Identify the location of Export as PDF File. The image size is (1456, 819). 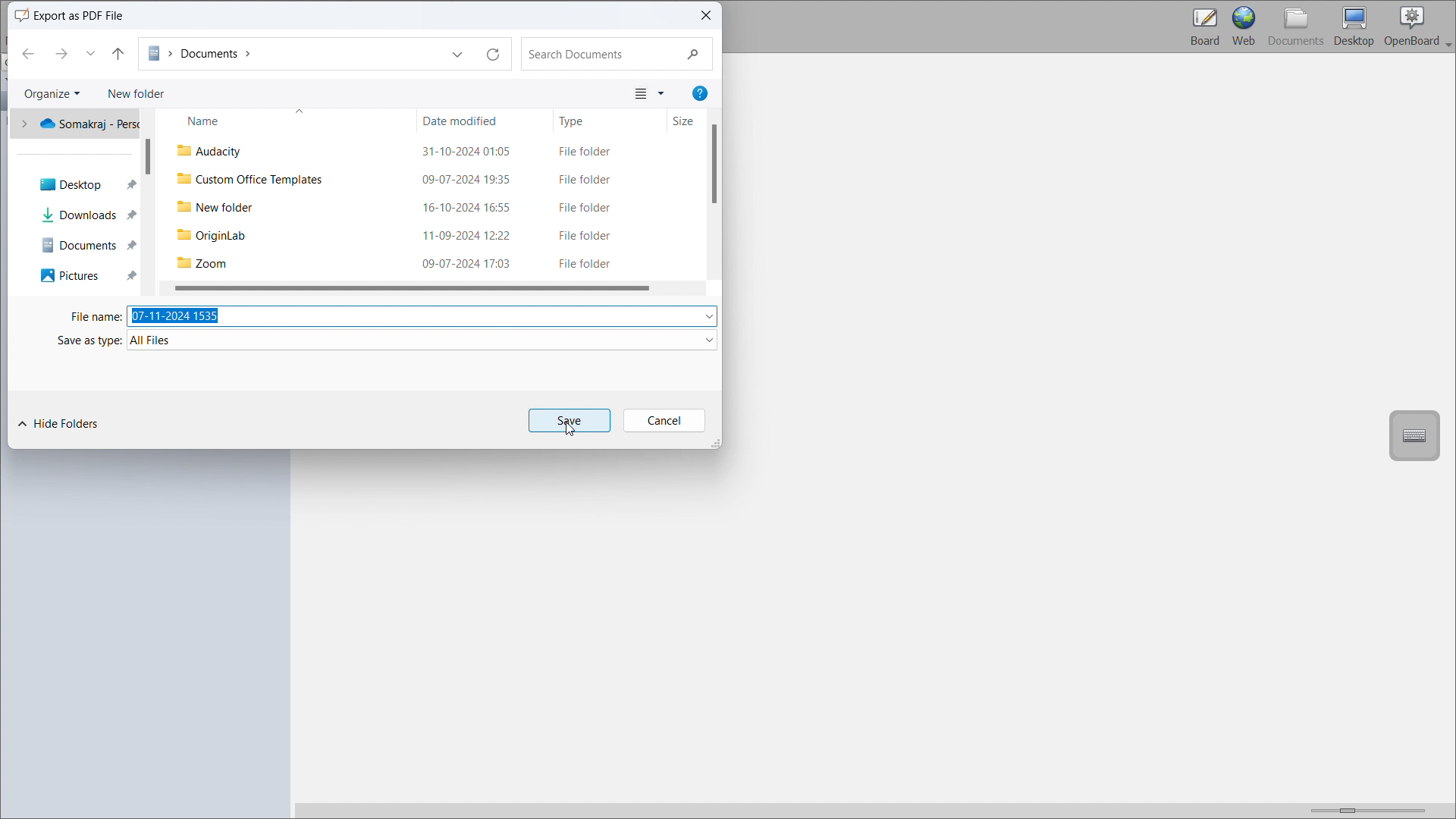
(89, 15).